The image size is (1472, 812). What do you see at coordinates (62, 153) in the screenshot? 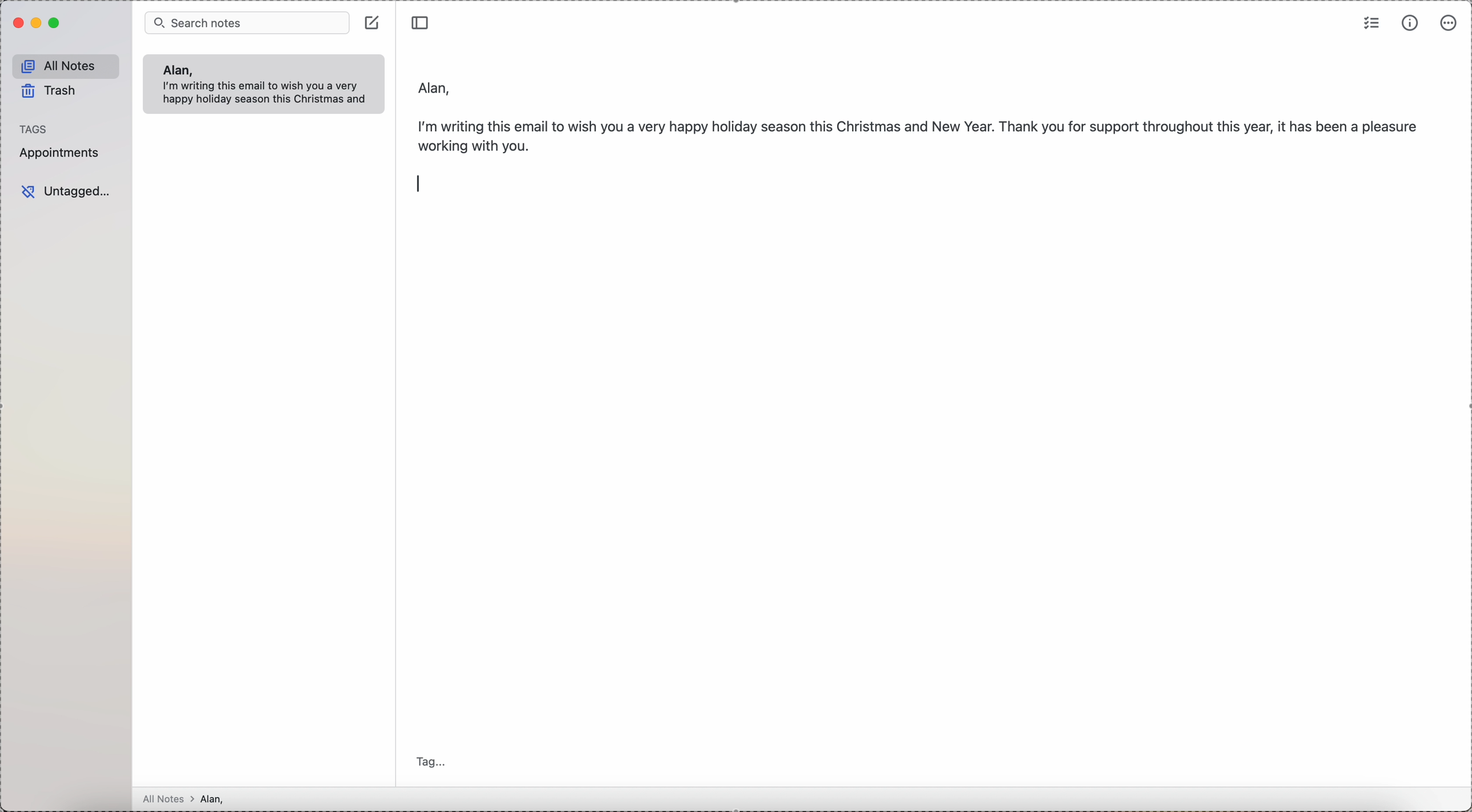
I see `appointments` at bounding box center [62, 153].